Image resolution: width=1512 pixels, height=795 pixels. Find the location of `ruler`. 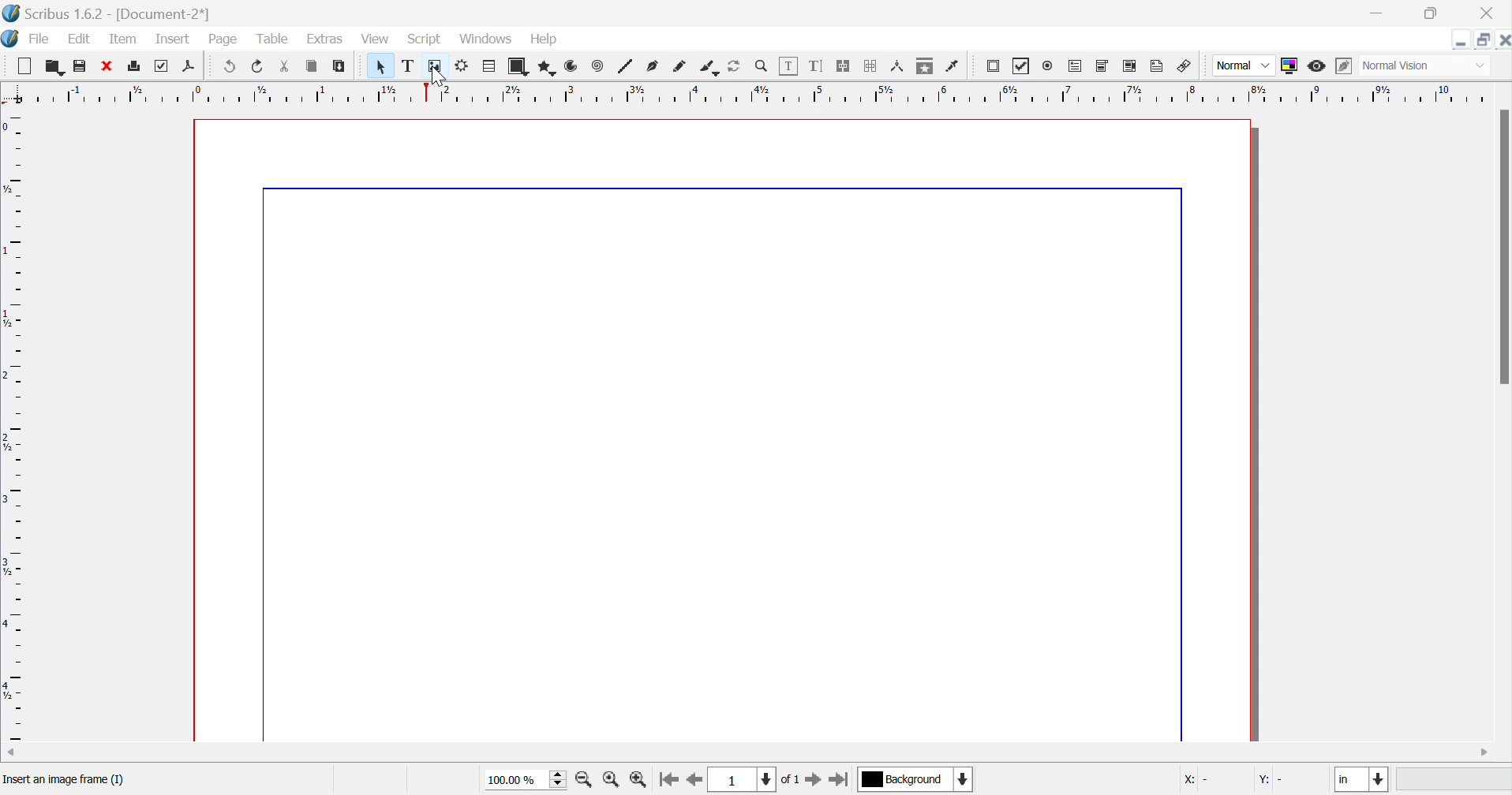

ruler is located at coordinates (750, 92).